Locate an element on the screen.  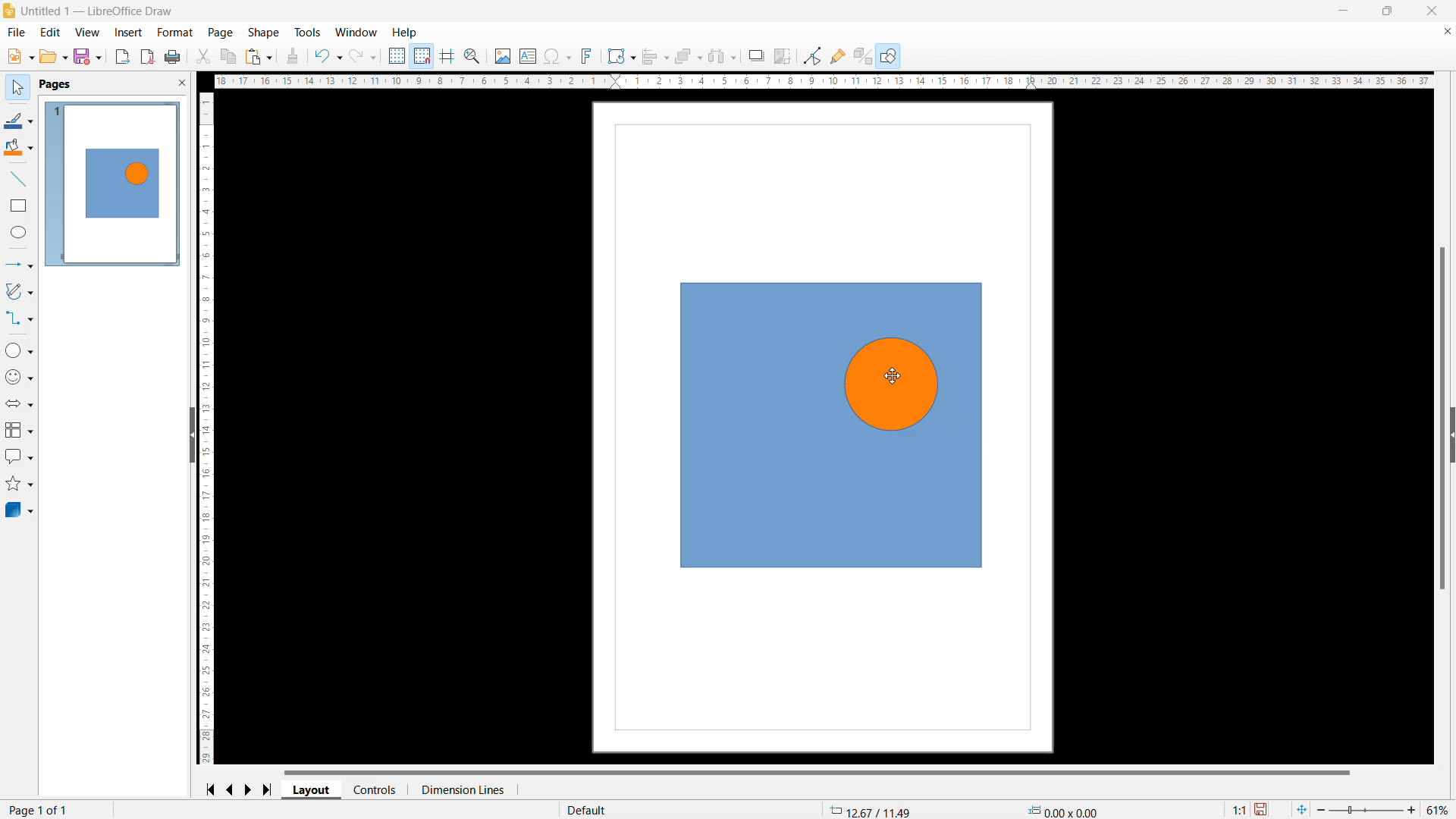
window is located at coordinates (356, 33).